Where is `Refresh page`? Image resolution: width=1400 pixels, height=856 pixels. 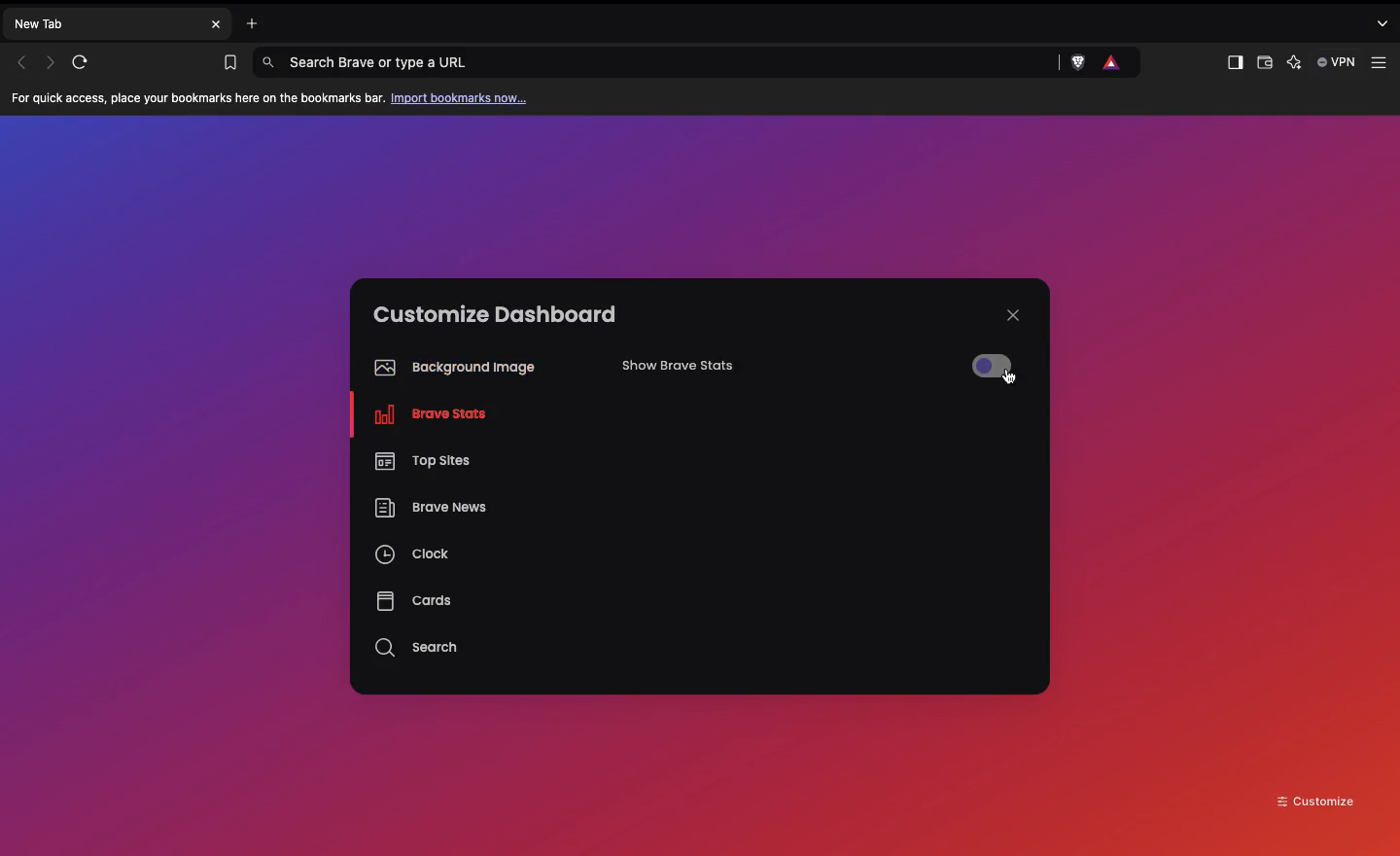 Refresh page is located at coordinates (87, 62).